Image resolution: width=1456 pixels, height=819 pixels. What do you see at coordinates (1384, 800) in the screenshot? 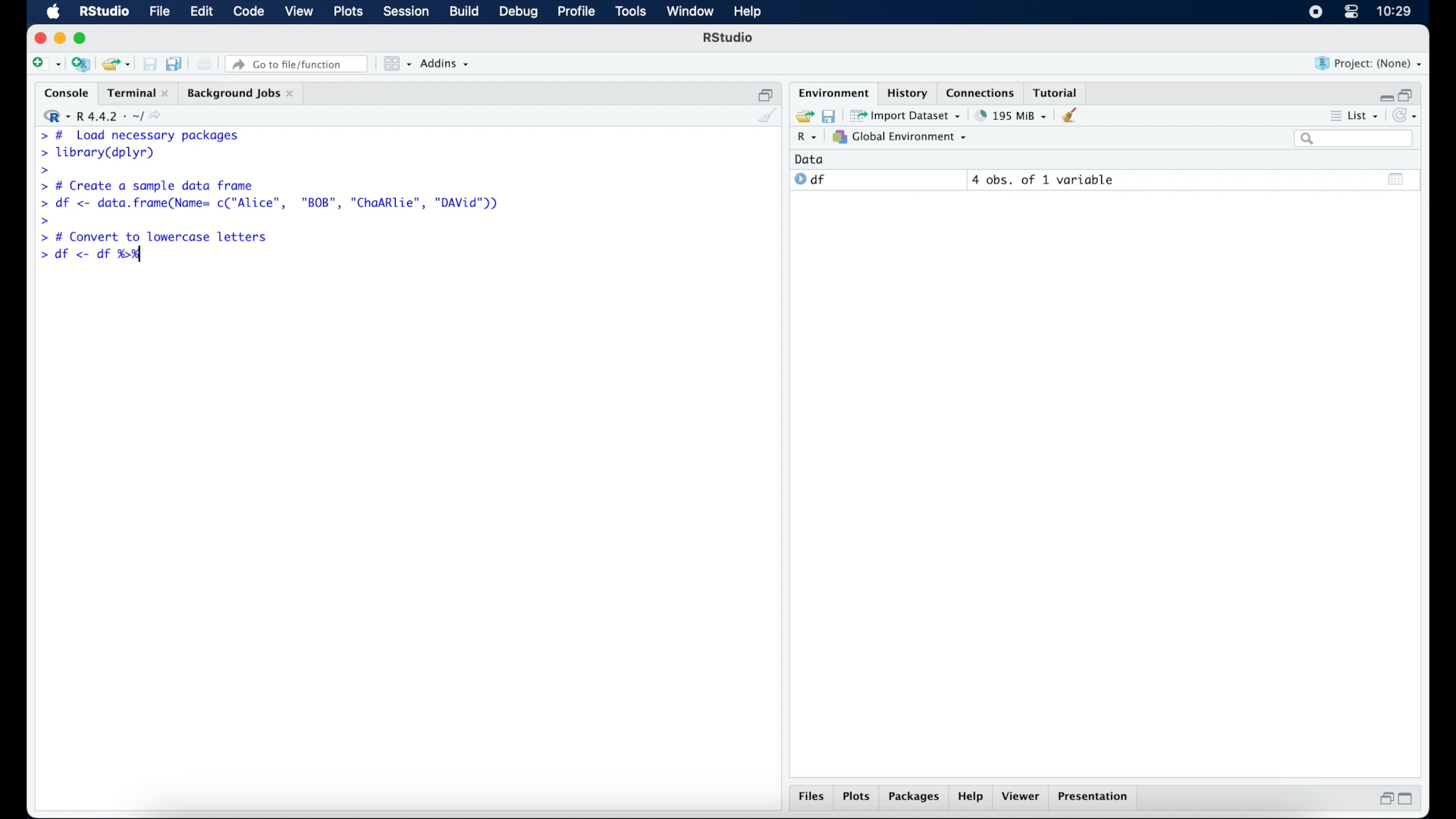
I see `restore down` at bounding box center [1384, 800].